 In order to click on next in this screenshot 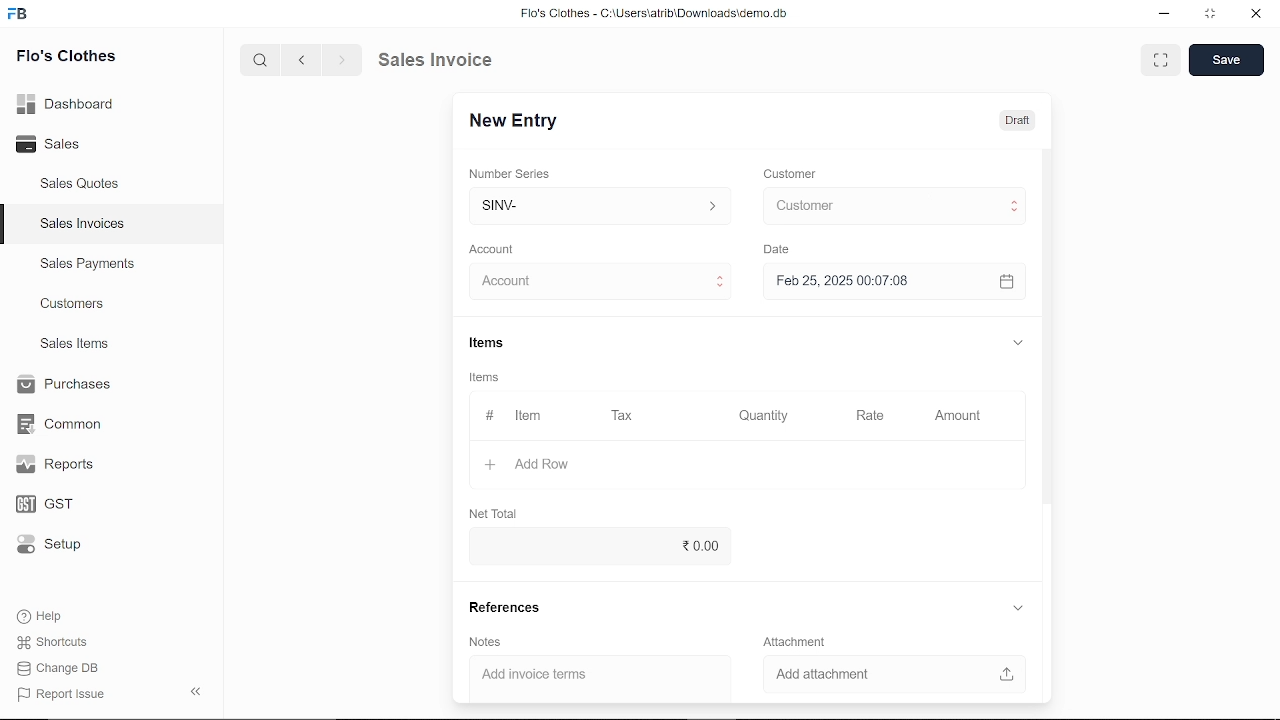, I will do `click(342, 60)`.